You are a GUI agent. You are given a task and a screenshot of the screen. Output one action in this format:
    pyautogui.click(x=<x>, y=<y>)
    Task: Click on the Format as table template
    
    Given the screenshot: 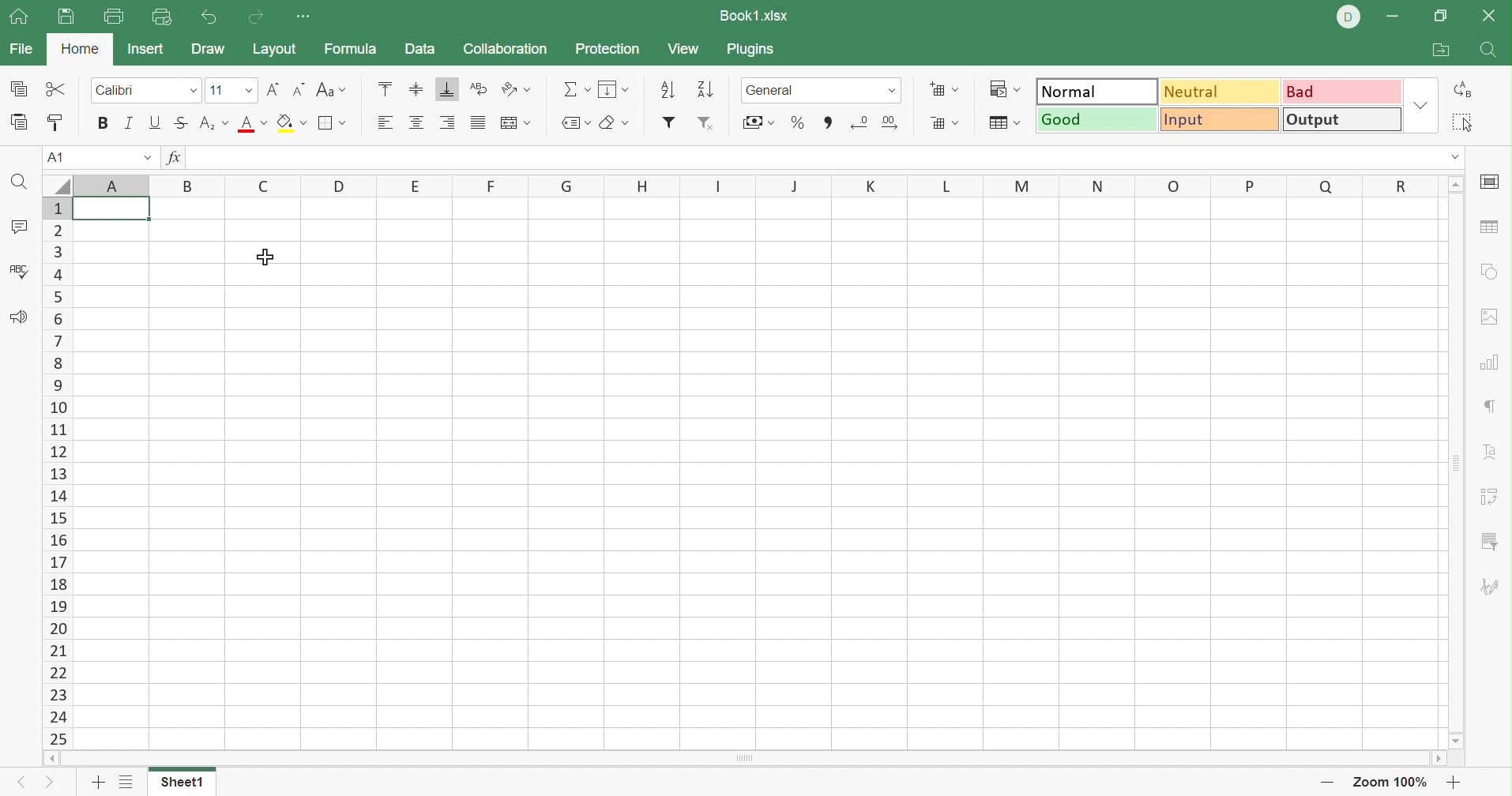 What is the action you would take?
    pyautogui.click(x=1005, y=123)
    